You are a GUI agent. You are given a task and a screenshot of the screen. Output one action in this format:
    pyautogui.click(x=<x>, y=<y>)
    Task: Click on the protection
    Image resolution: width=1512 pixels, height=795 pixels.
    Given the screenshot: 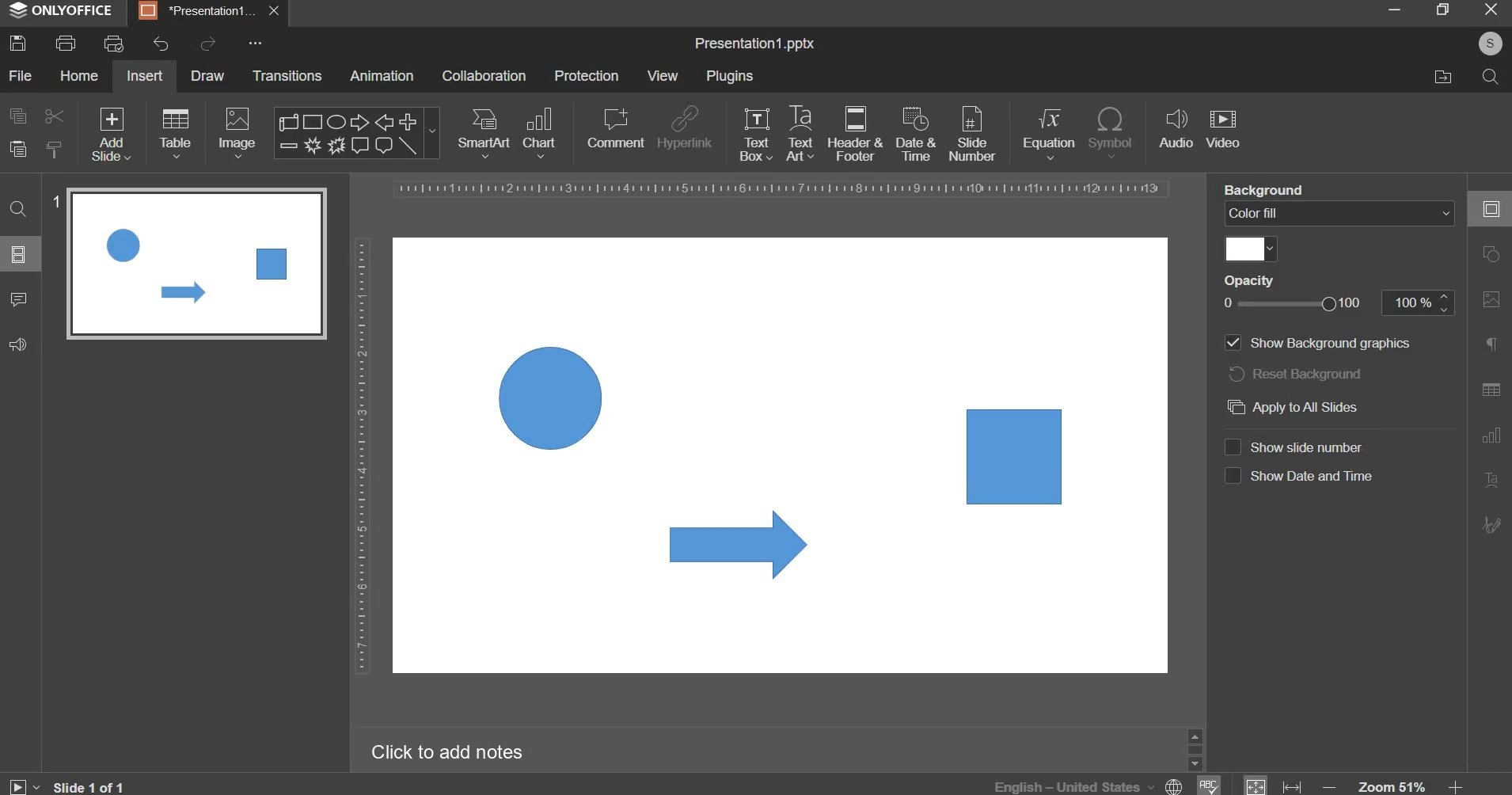 What is the action you would take?
    pyautogui.click(x=587, y=75)
    